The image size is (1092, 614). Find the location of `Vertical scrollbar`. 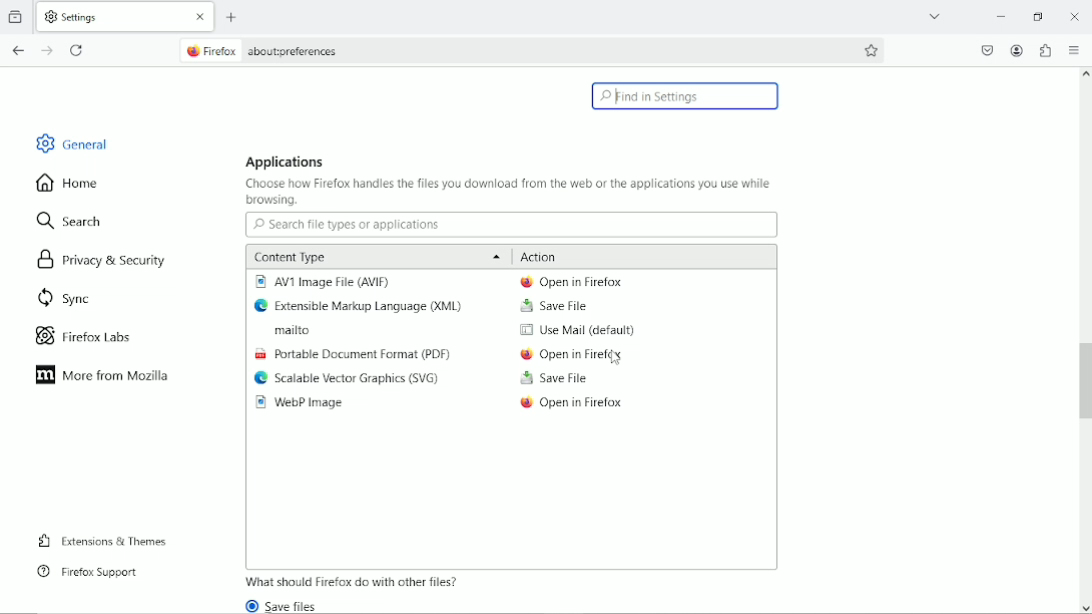

Vertical scrollbar is located at coordinates (1083, 383).